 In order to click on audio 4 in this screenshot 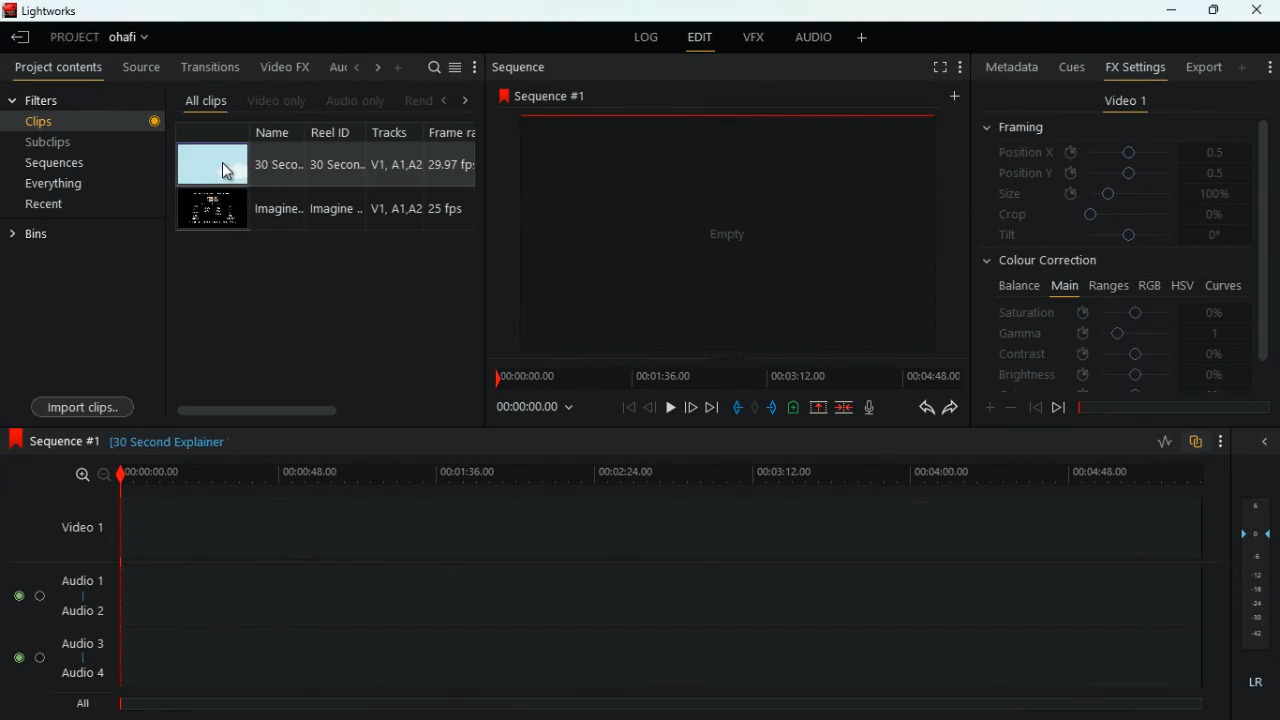, I will do `click(79, 672)`.